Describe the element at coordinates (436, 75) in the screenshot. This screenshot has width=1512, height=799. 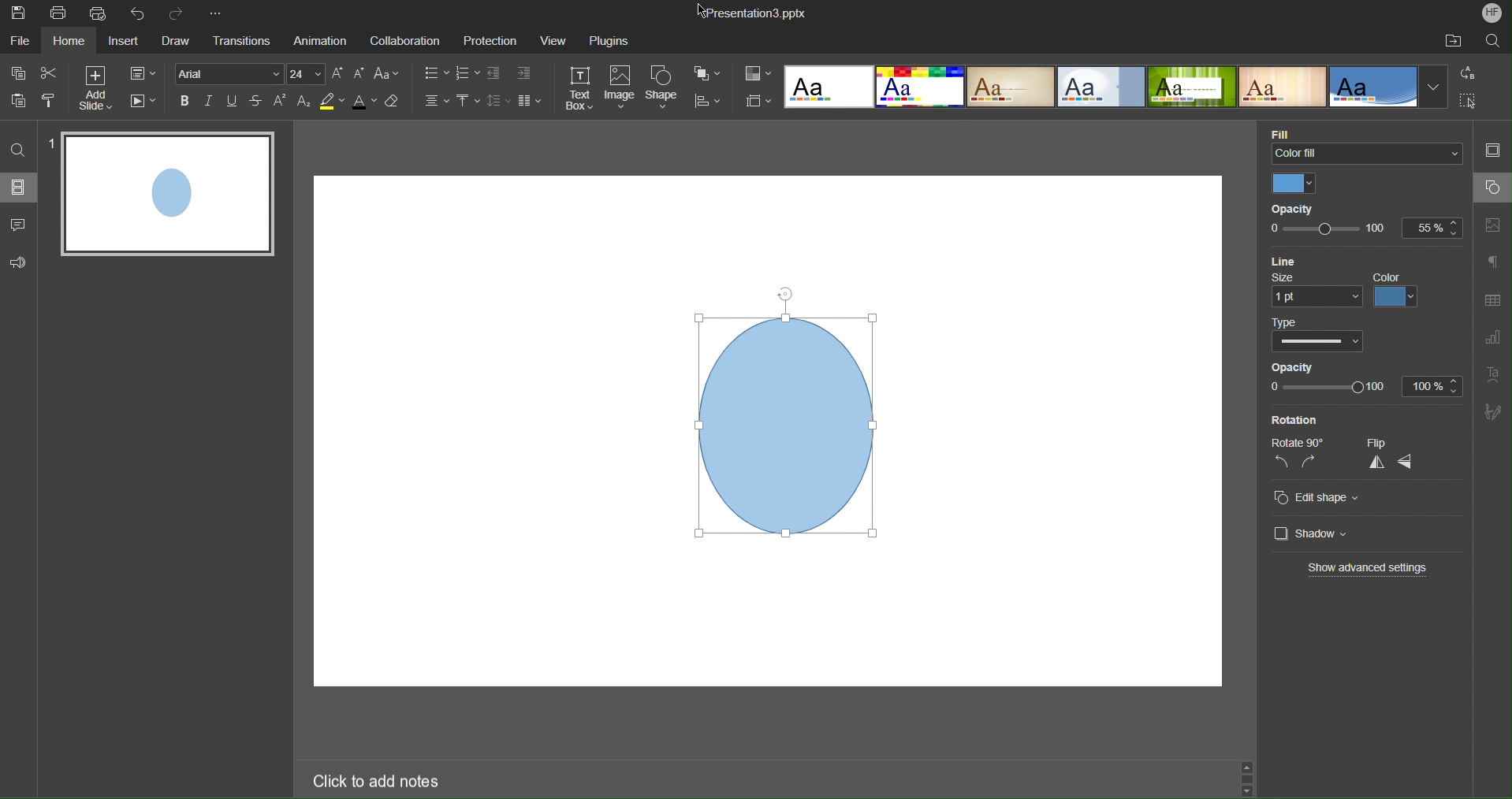
I see `Bullet List` at that location.